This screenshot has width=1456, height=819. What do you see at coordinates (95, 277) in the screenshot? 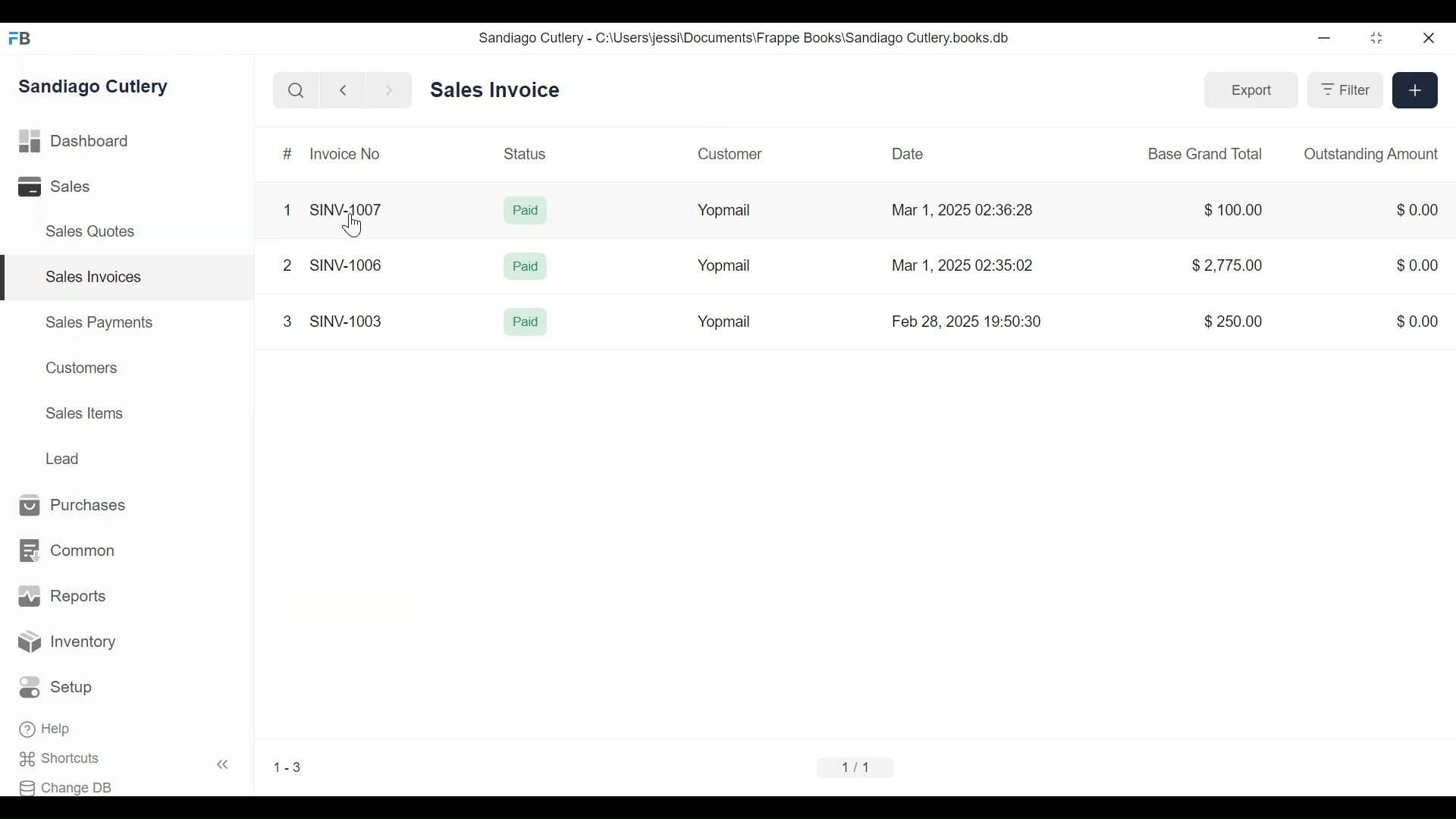
I see `Sales Invoices` at bounding box center [95, 277].